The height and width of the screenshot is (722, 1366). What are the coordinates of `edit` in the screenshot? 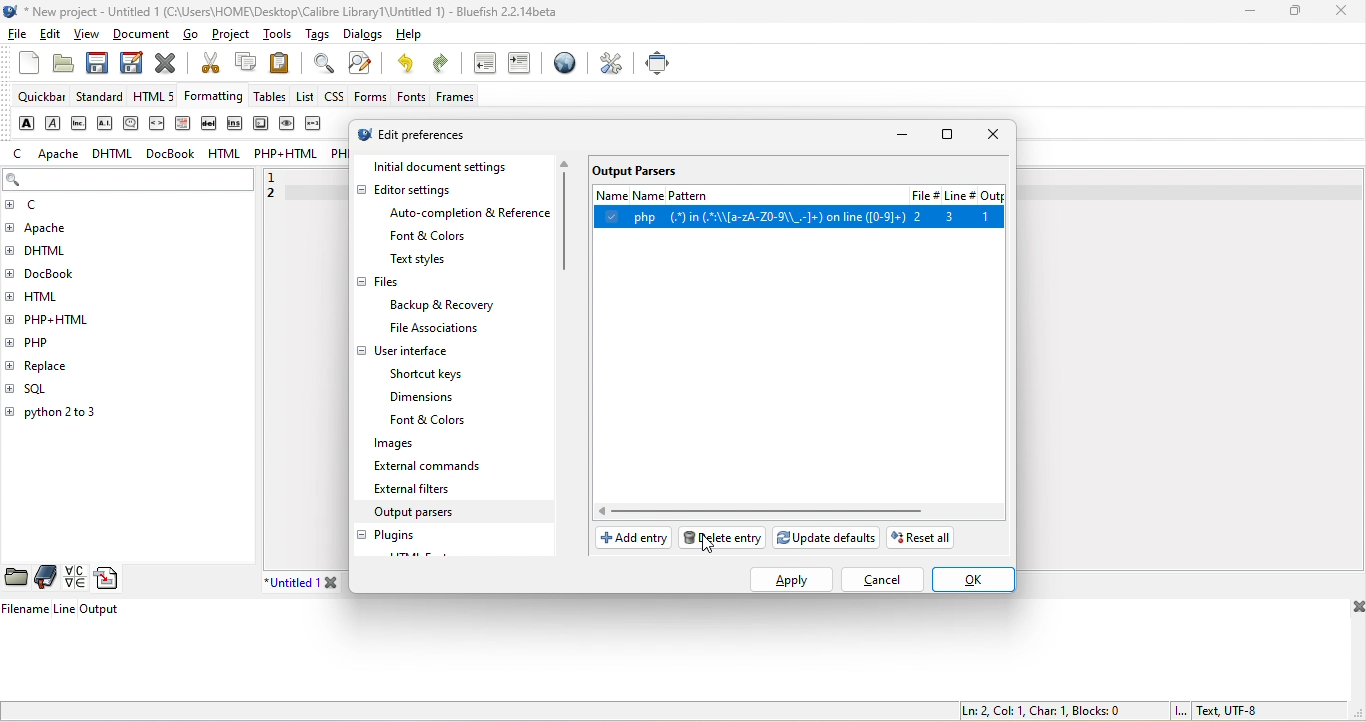 It's located at (53, 37).